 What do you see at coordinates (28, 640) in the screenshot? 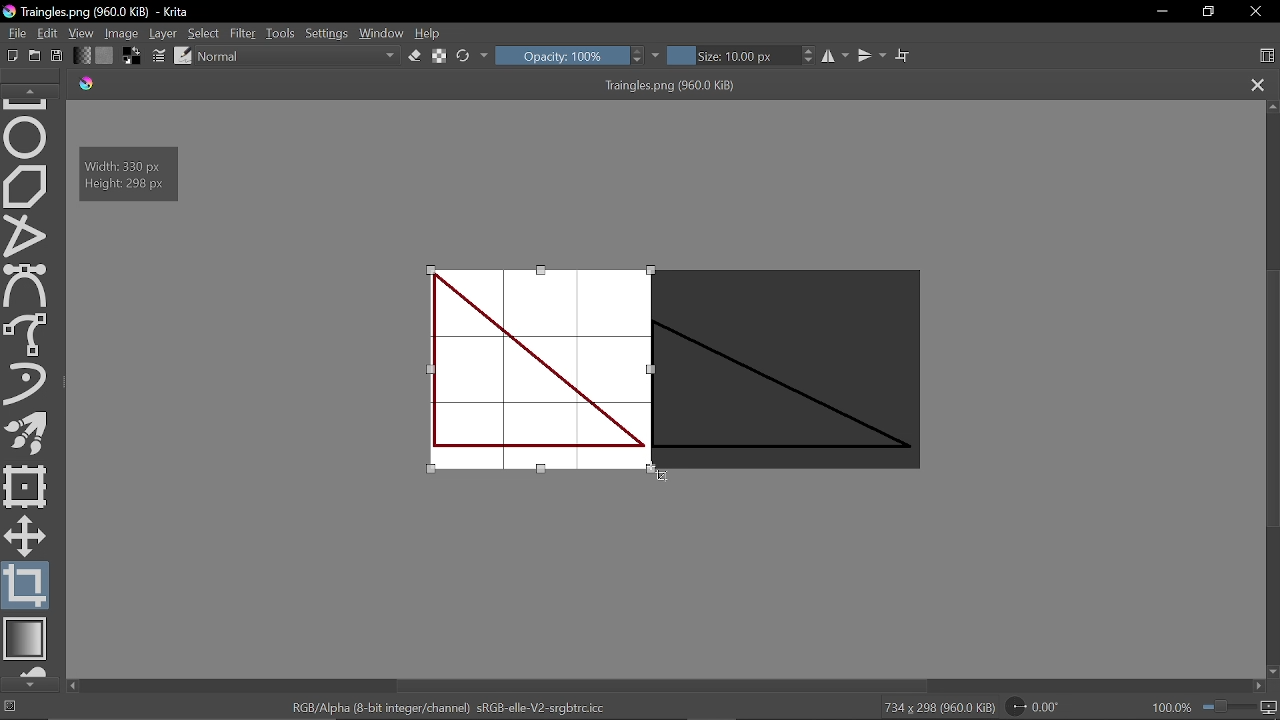
I see `Draw gradient tool` at bounding box center [28, 640].